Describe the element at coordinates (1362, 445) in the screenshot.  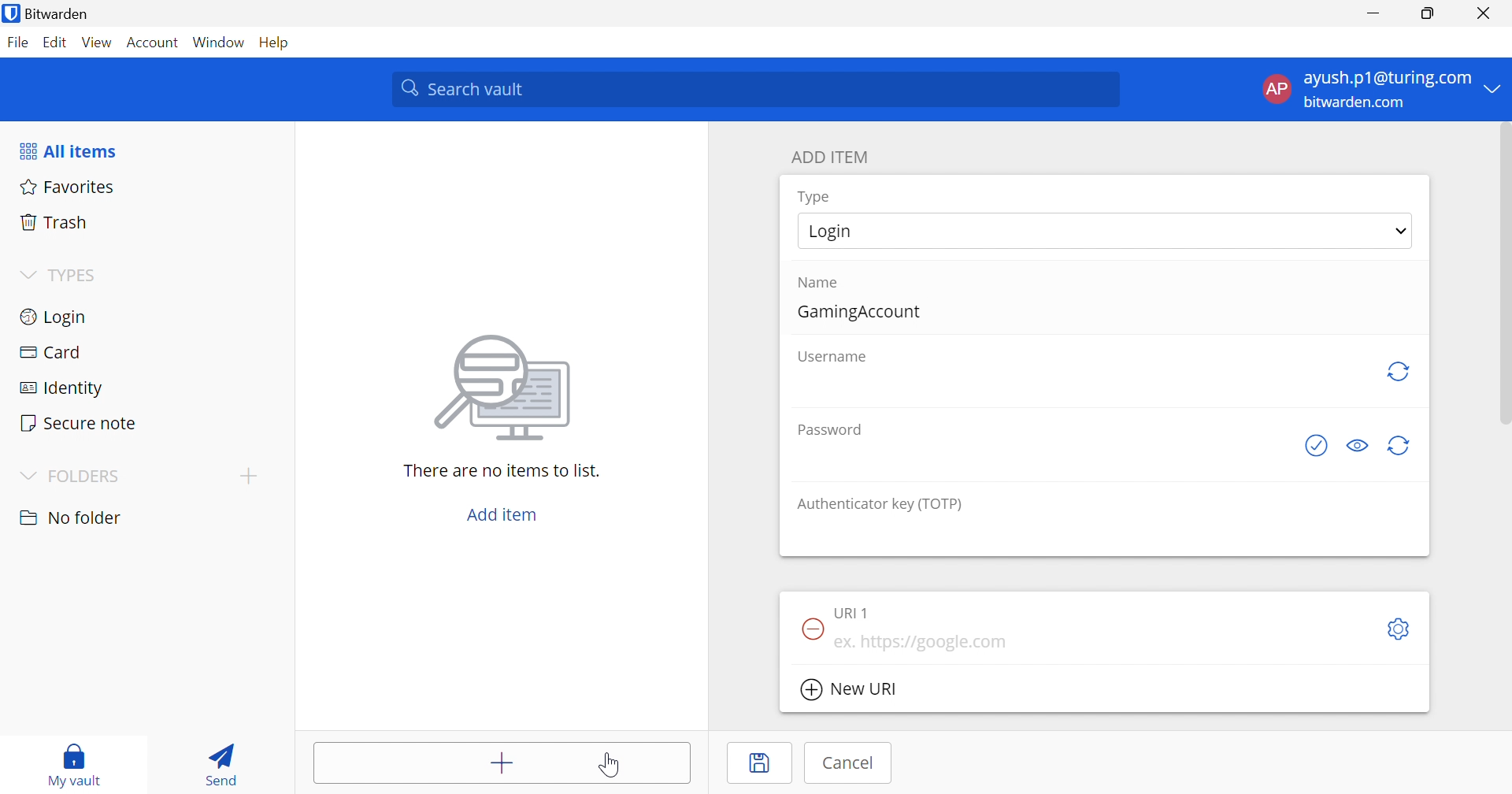
I see `Toggle visibility` at that location.